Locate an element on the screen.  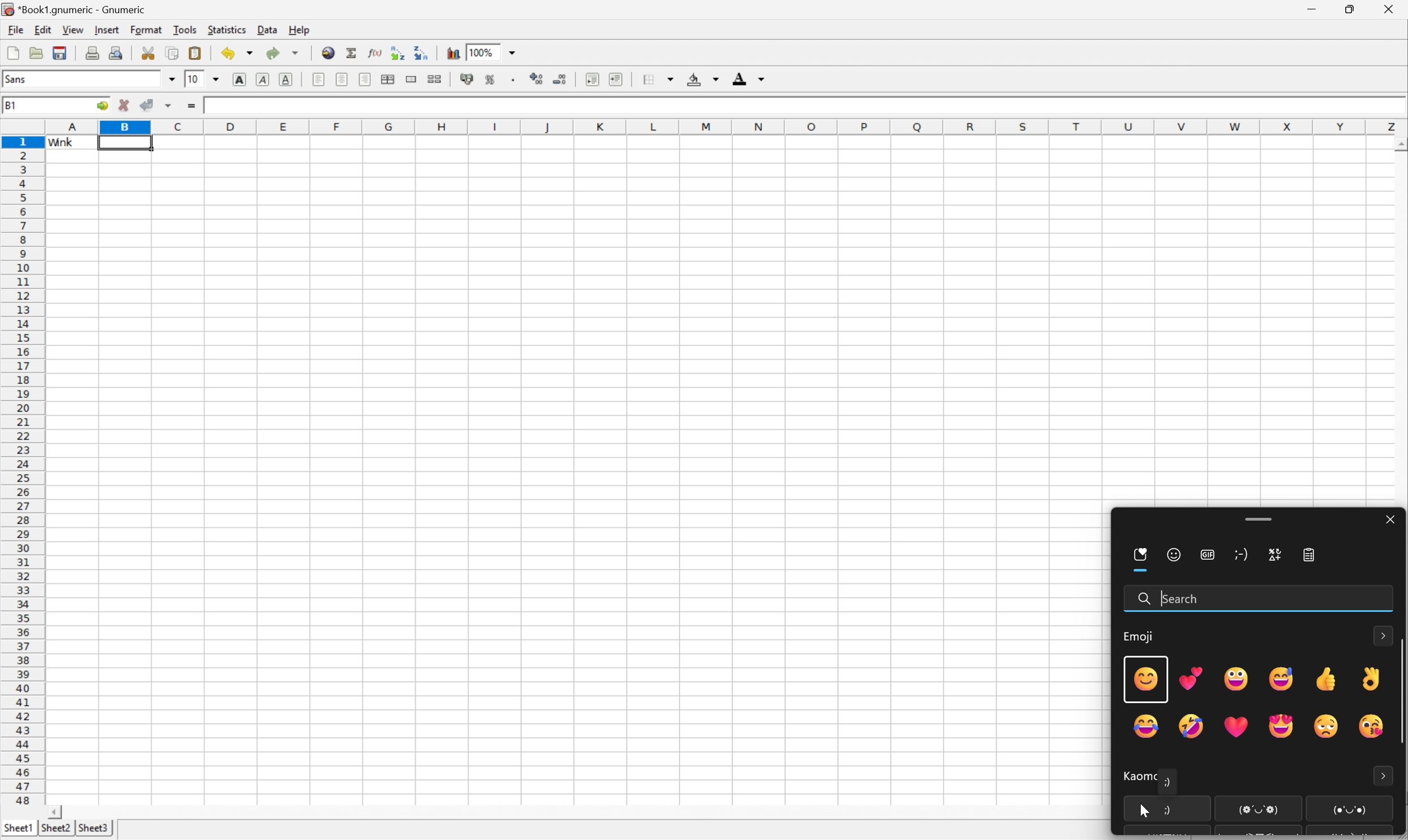
clipboard history is located at coordinates (1313, 558).